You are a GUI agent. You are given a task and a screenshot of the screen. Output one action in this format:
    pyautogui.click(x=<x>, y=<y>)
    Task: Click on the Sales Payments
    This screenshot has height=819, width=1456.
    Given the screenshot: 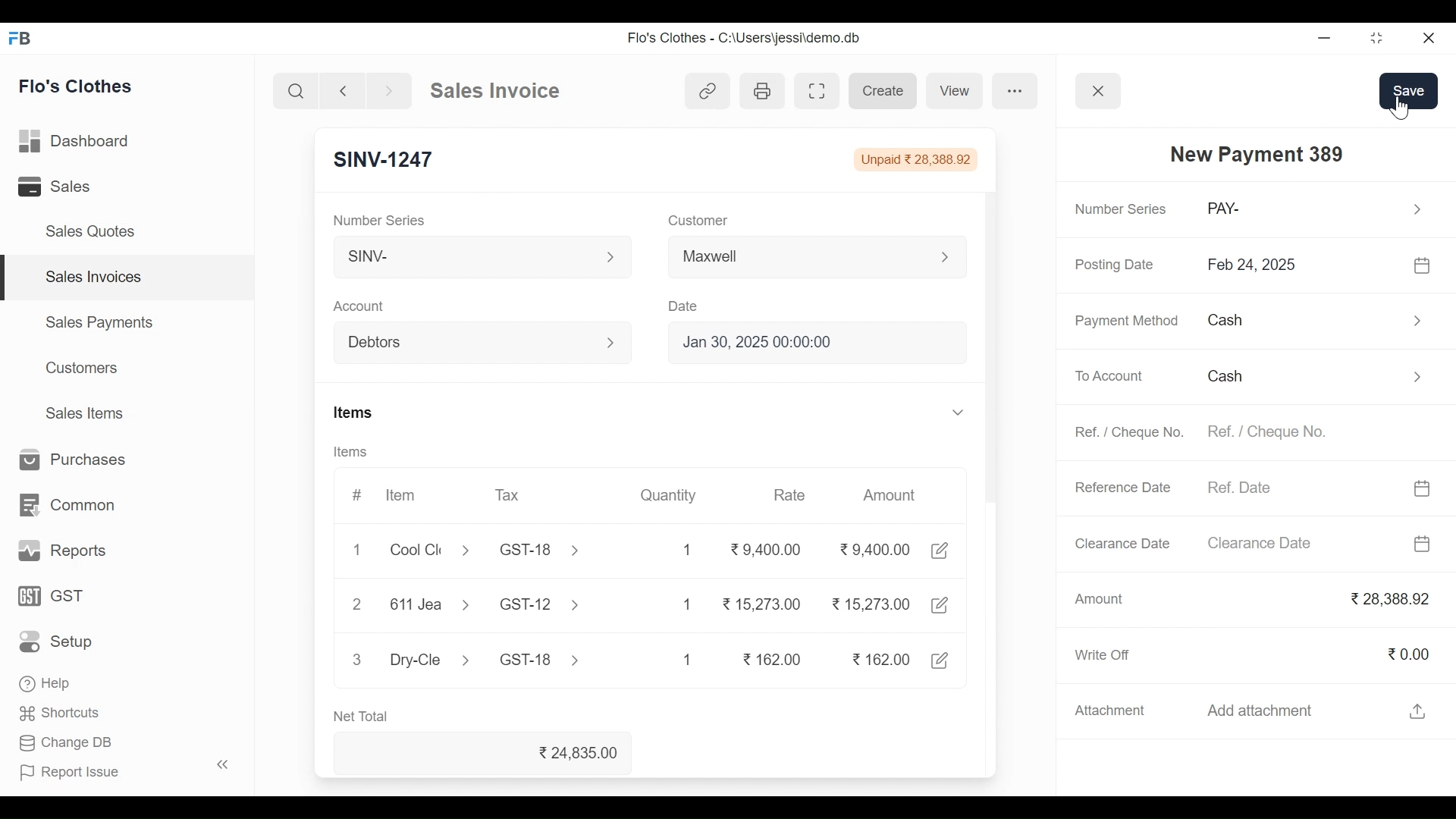 What is the action you would take?
    pyautogui.click(x=100, y=322)
    